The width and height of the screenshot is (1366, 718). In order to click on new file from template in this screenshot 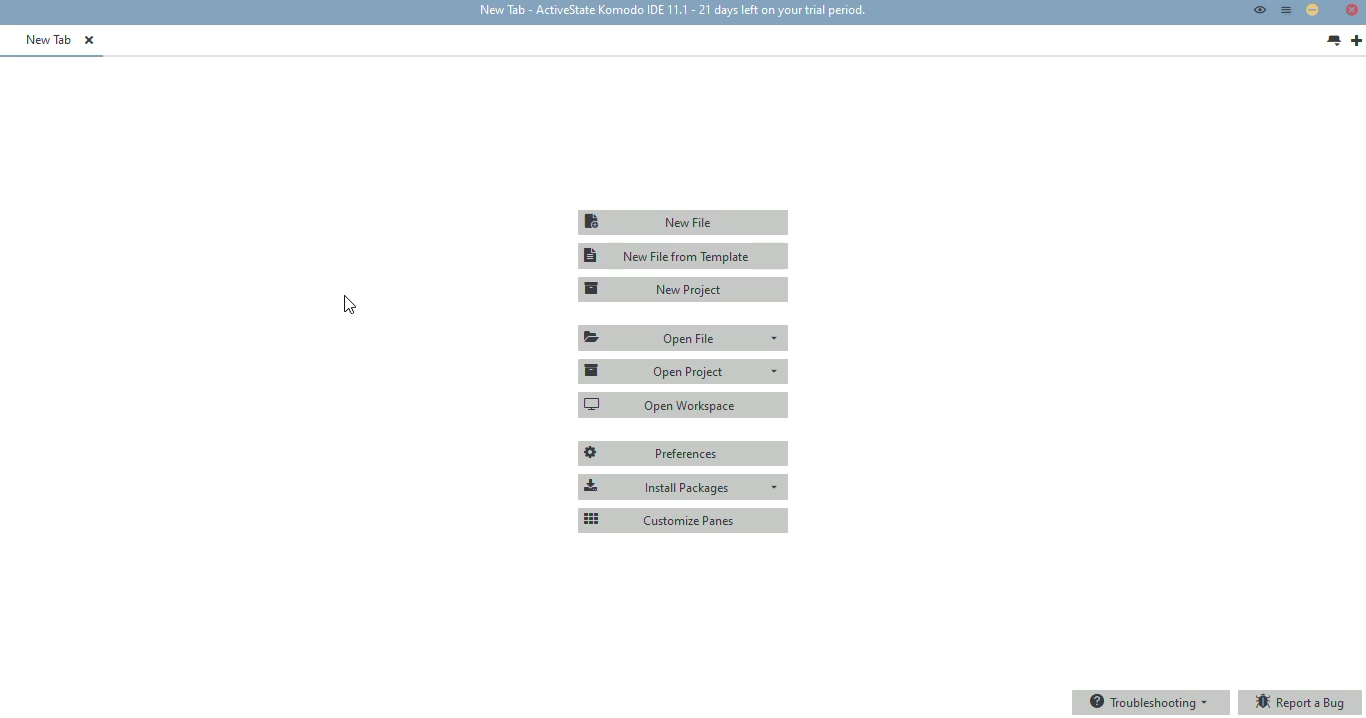, I will do `click(684, 256)`.